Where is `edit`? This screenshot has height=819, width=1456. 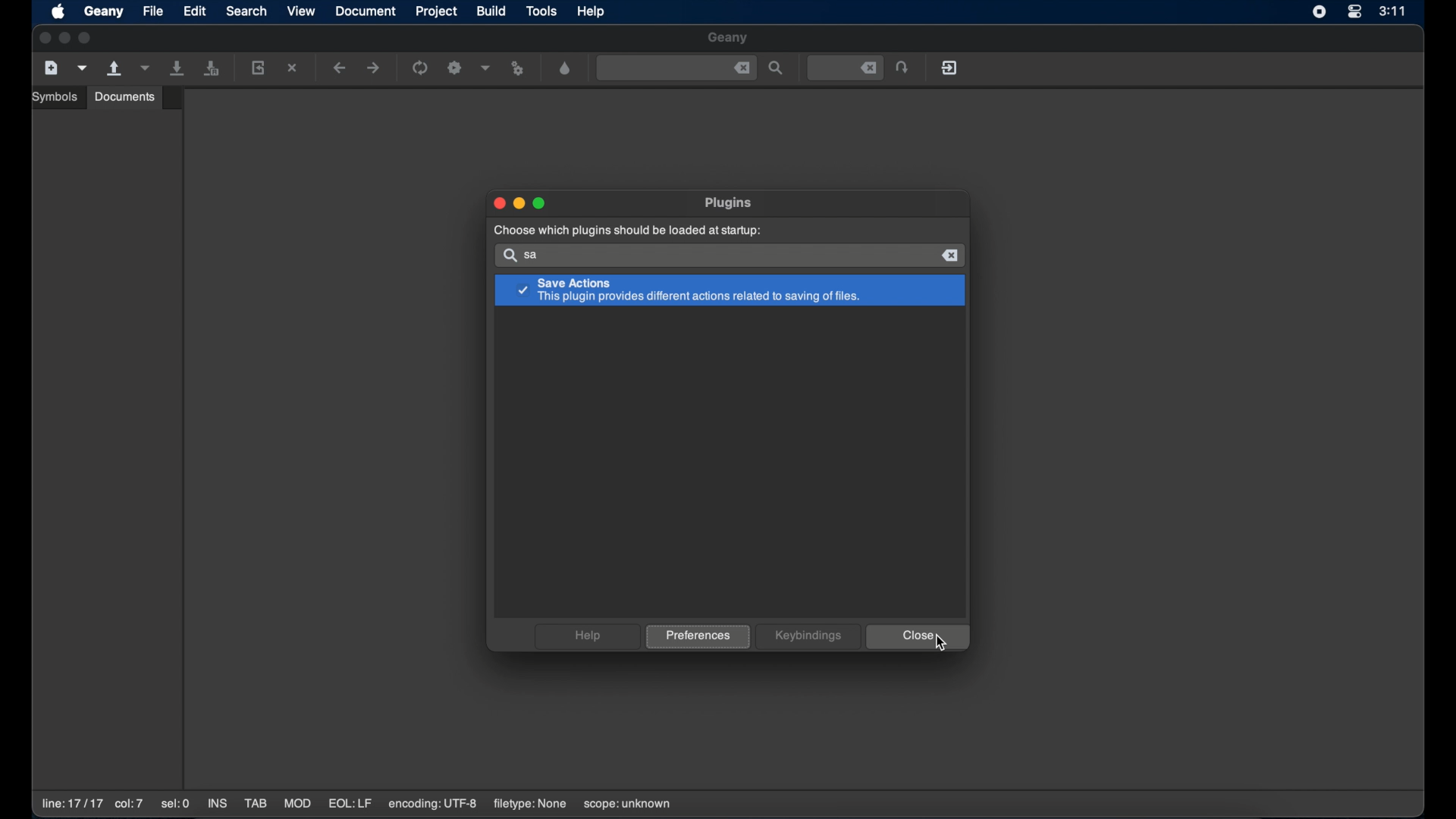 edit is located at coordinates (195, 11).